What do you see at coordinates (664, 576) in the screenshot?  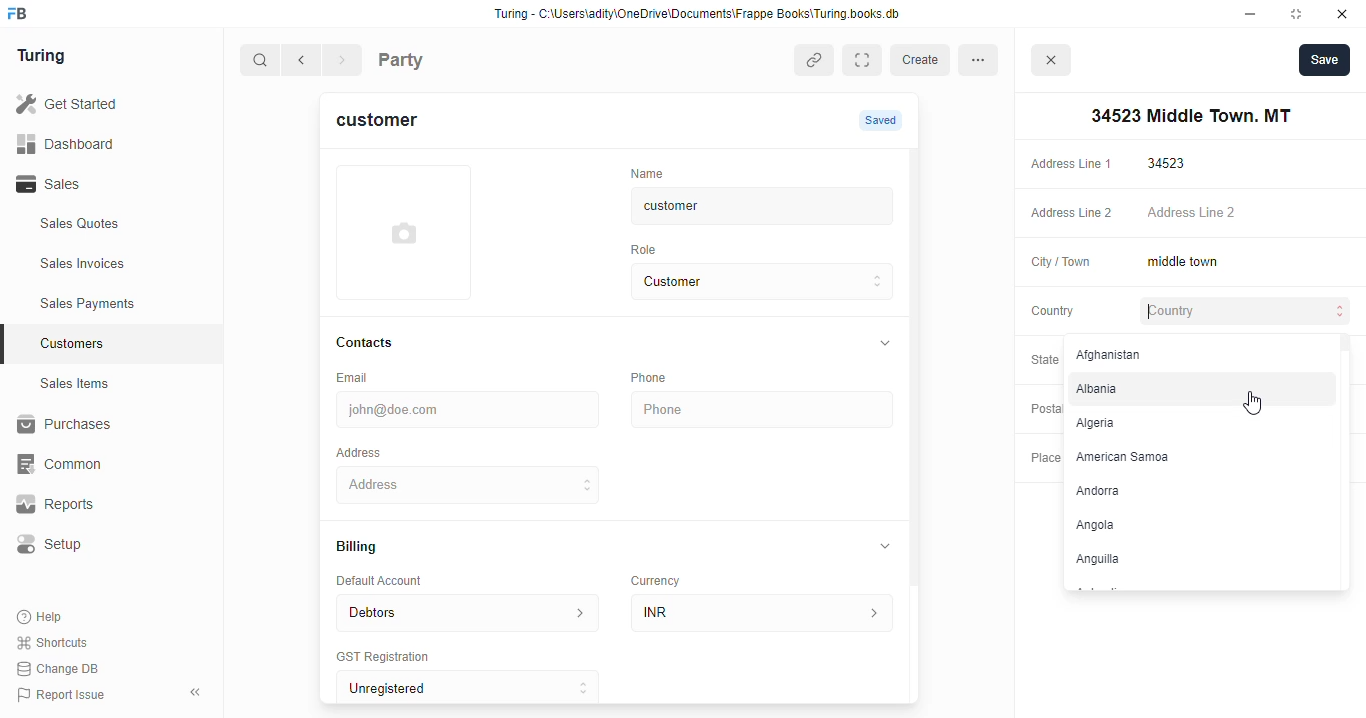 I see `Currency` at bounding box center [664, 576].